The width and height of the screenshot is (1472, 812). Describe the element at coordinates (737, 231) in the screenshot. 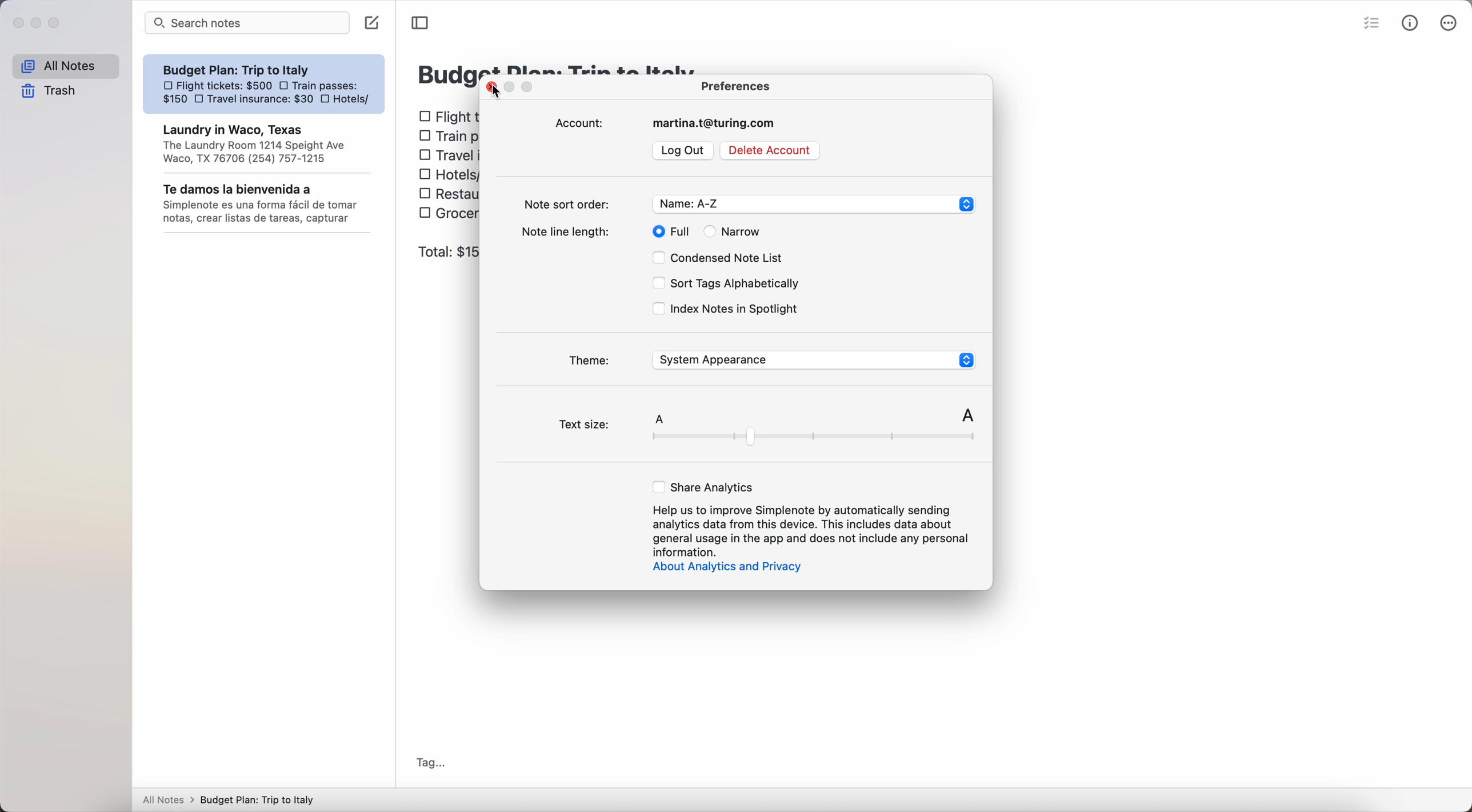

I see `narrow` at that location.